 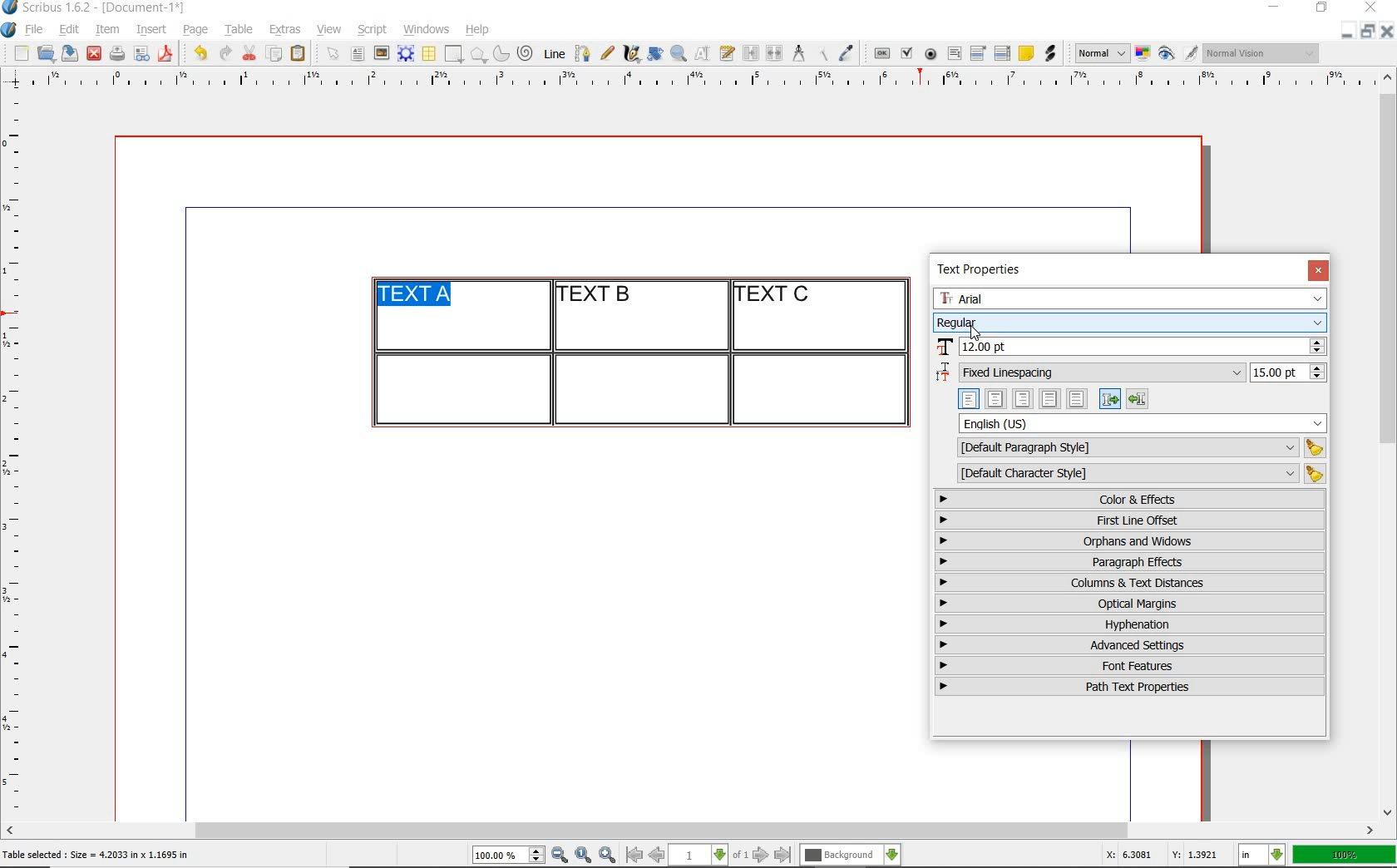 What do you see at coordinates (1128, 687) in the screenshot?
I see `path text properties` at bounding box center [1128, 687].